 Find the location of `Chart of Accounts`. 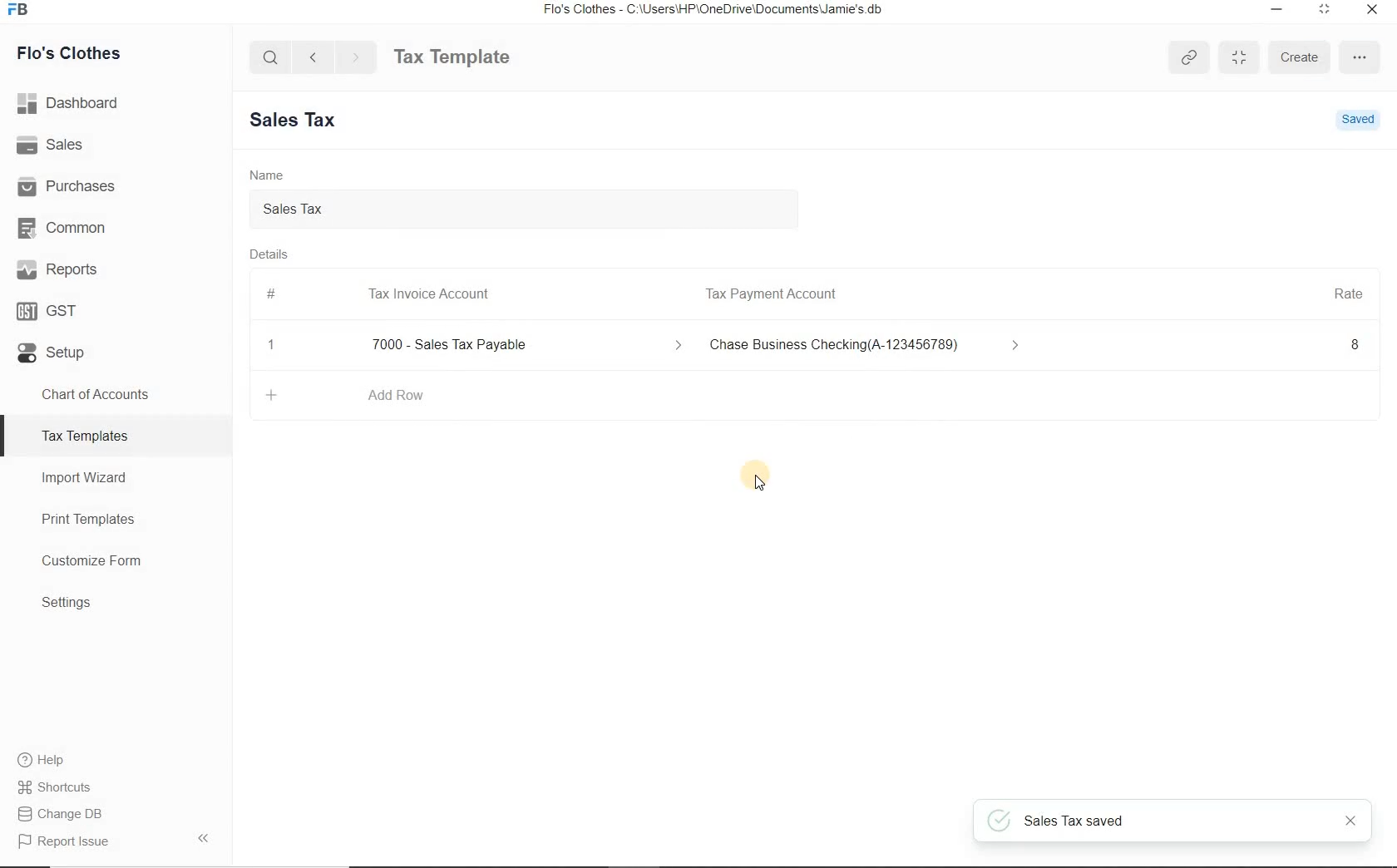

Chart of Accounts is located at coordinates (115, 394).